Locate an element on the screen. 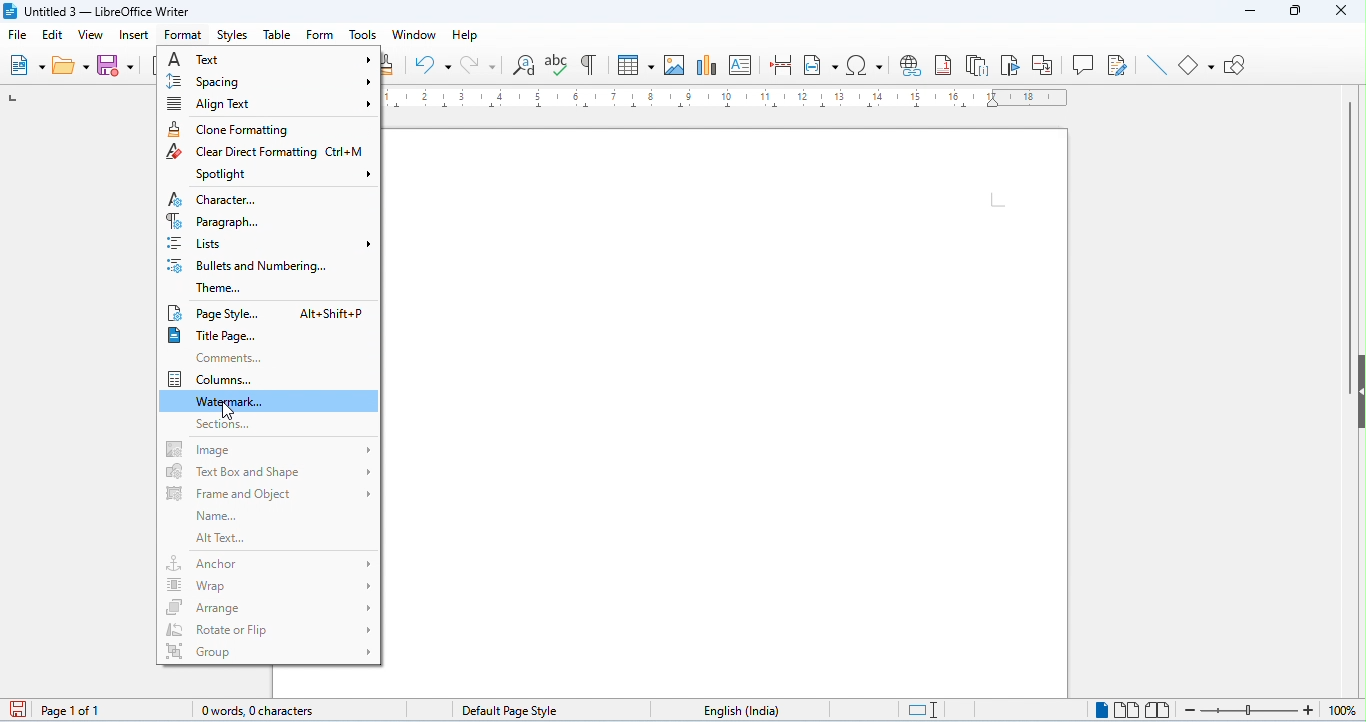 The image size is (1366, 722). new is located at coordinates (26, 65).